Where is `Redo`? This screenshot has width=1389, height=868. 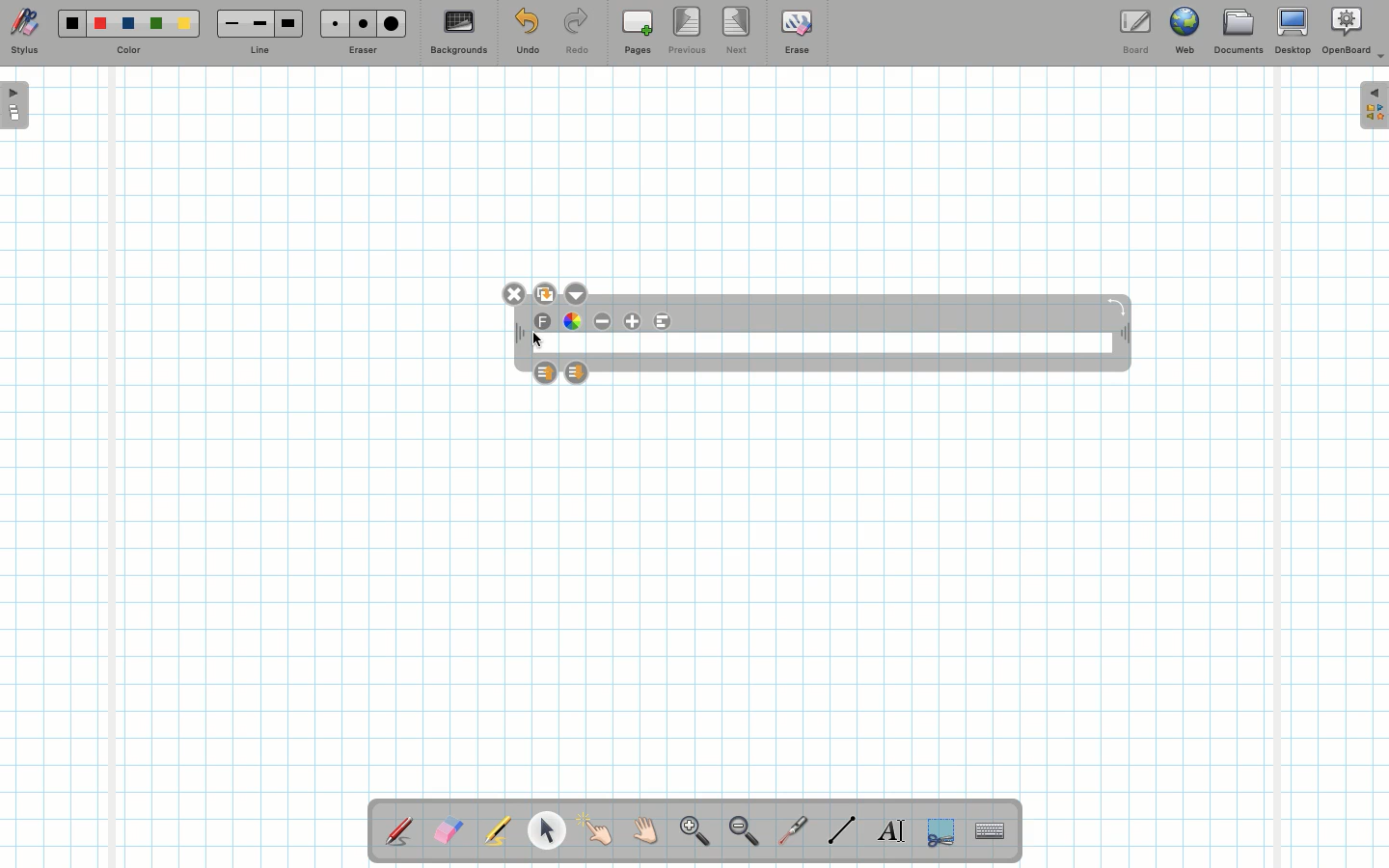
Redo is located at coordinates (577, 35).